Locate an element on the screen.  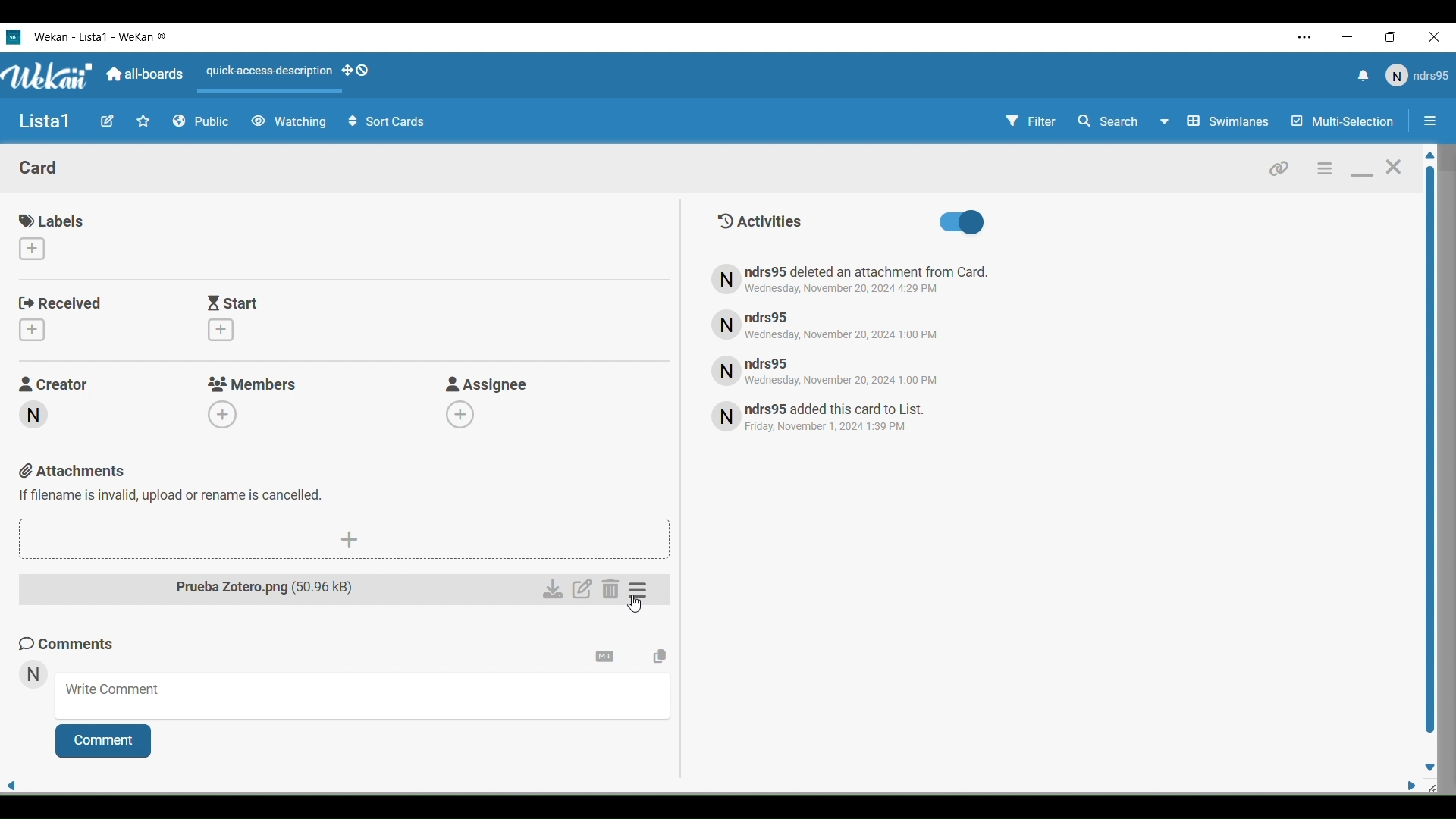
Name is located at coordinates (45, 122).